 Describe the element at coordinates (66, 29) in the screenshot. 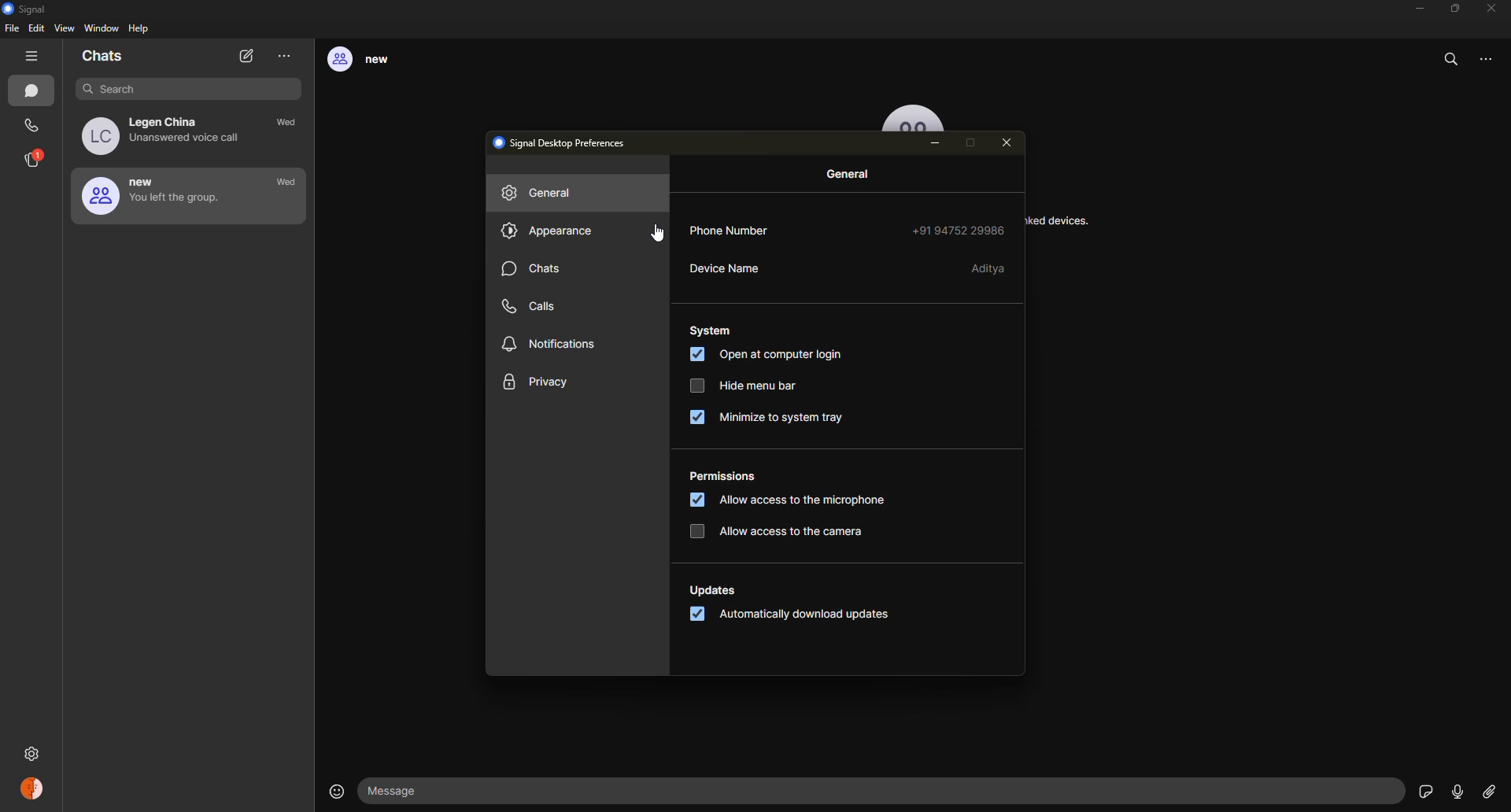

I see `view` at that location.